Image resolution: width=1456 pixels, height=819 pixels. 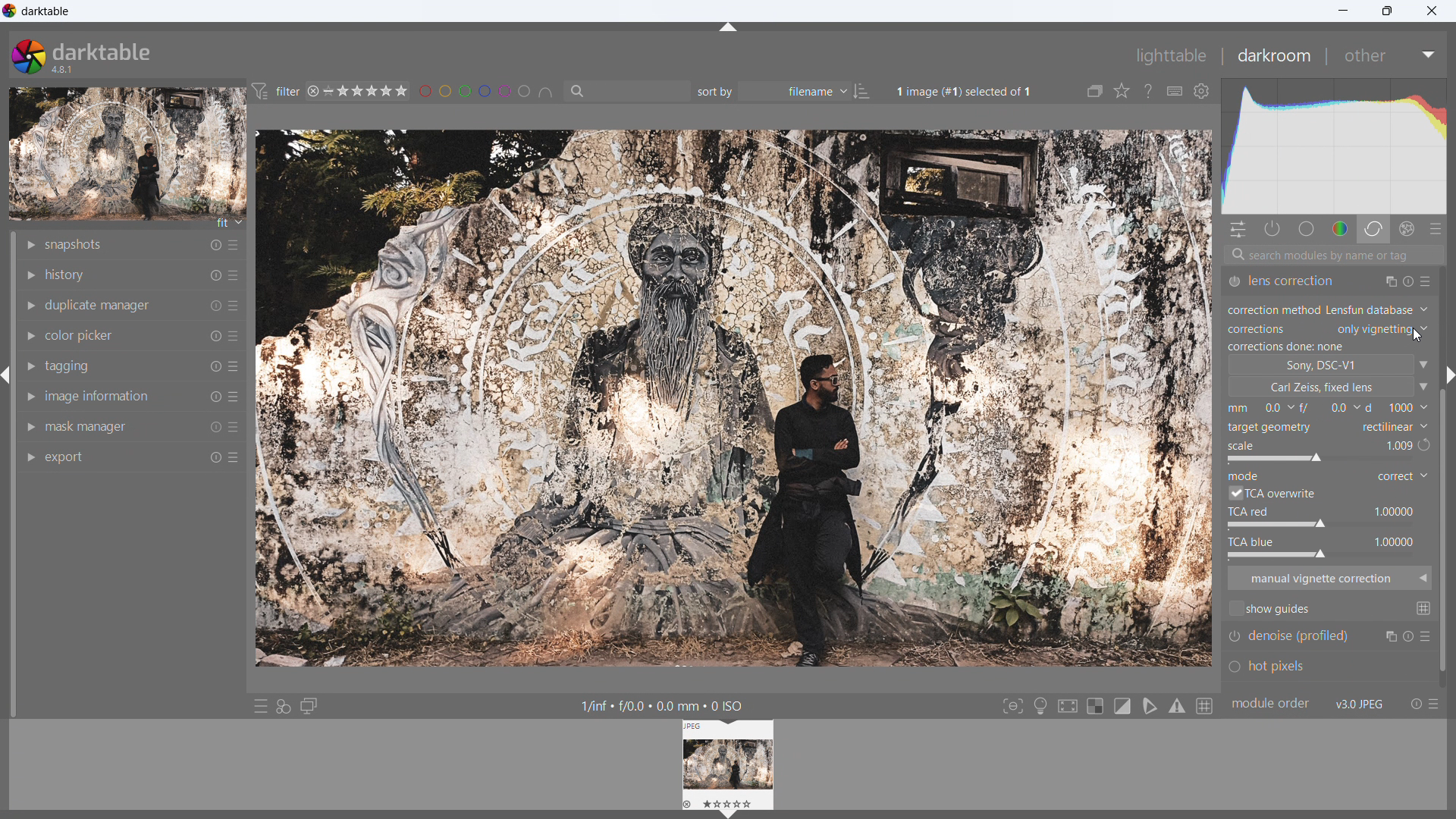 What do you see at coordinates (973, 93) in the screenshot?
I see `1image (#1) selected of 1` at bounding box center [973, 93].